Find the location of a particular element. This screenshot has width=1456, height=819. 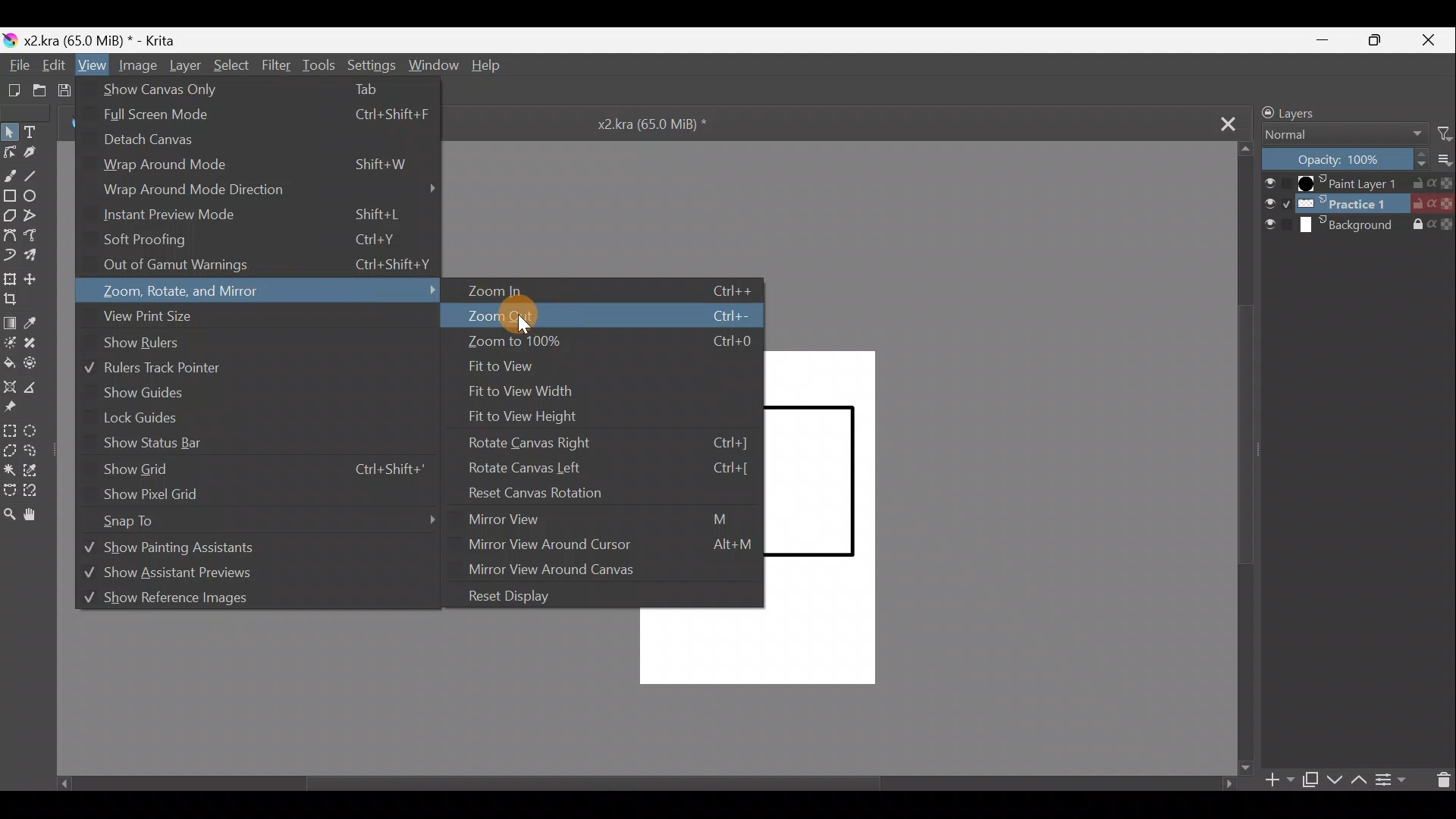

Draw a gradient is located at coordinates (12, 322).